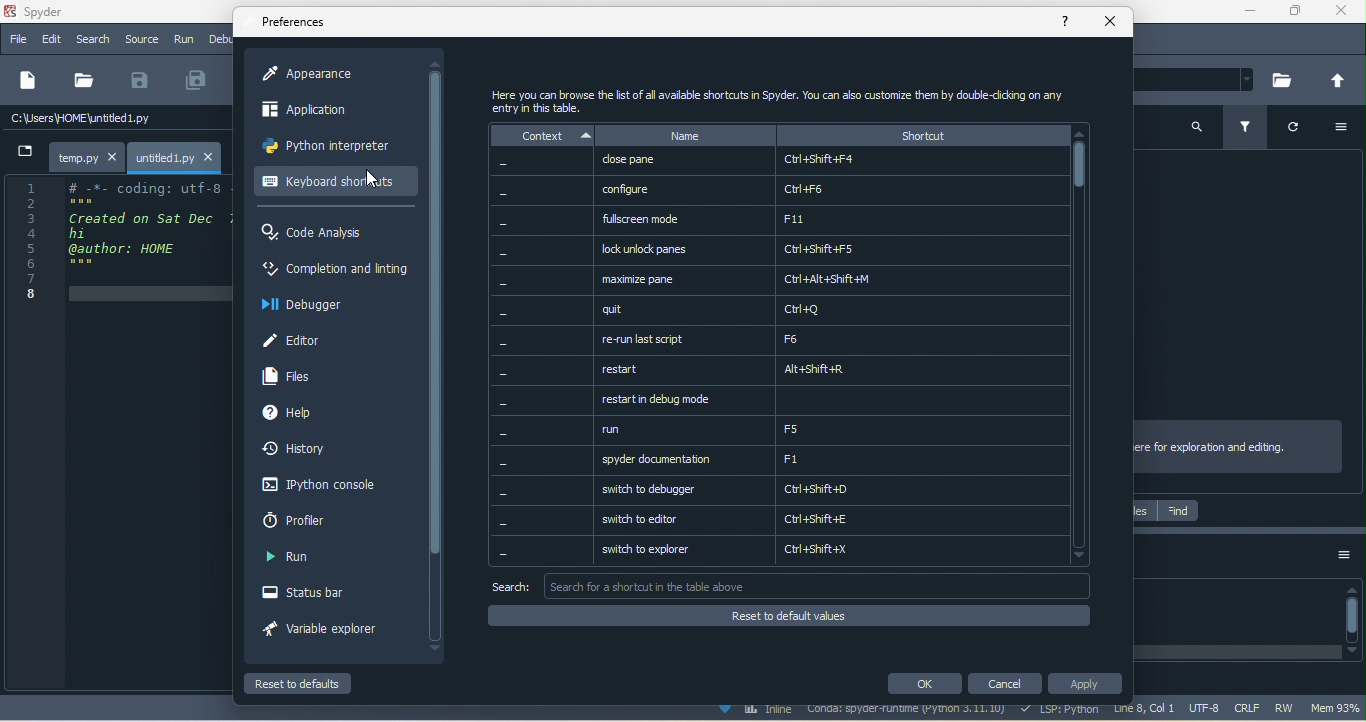  I want to click on conda spyder runtime, so click(911, 713).